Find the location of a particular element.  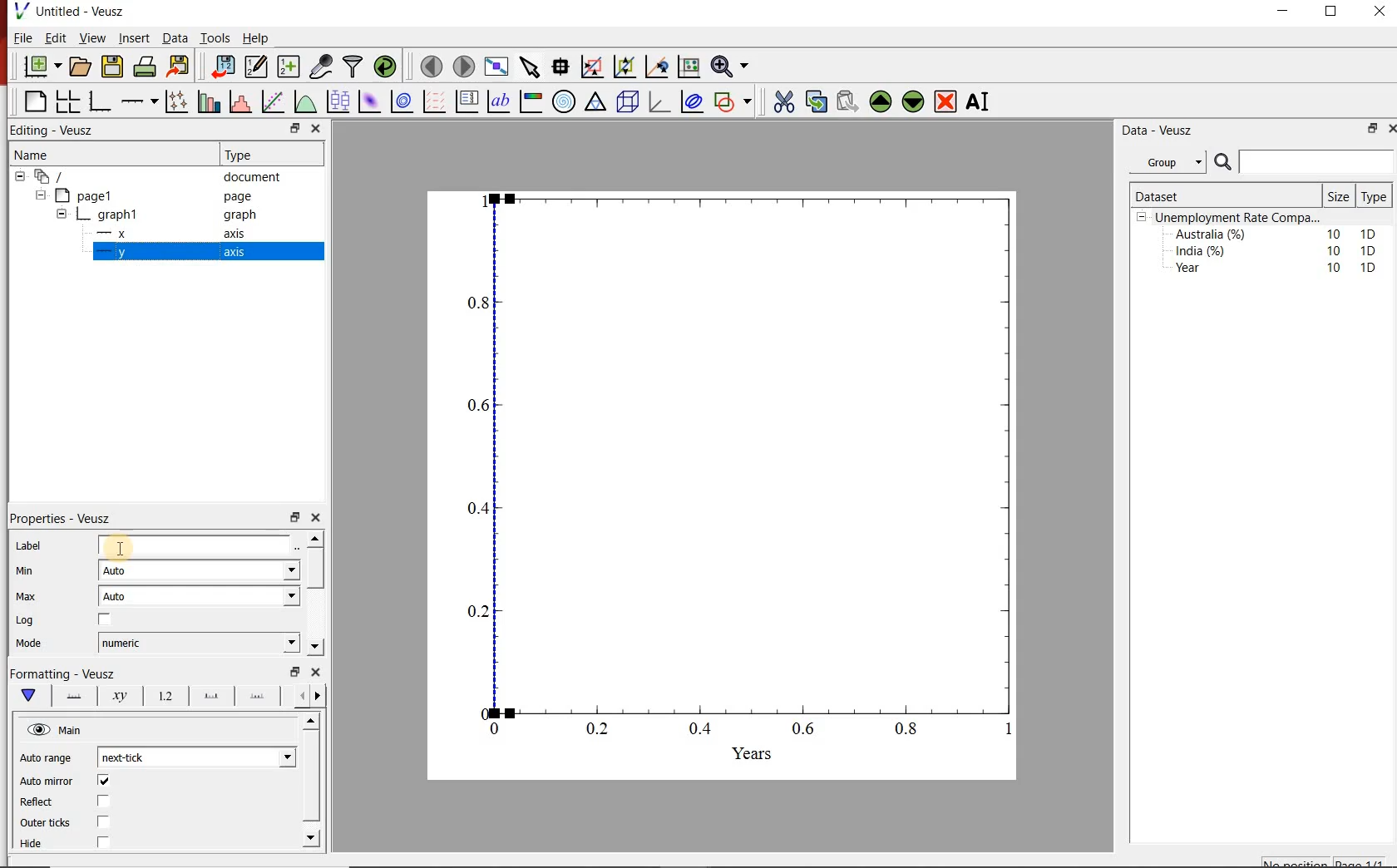

close is located at coordinates (1392, 127).